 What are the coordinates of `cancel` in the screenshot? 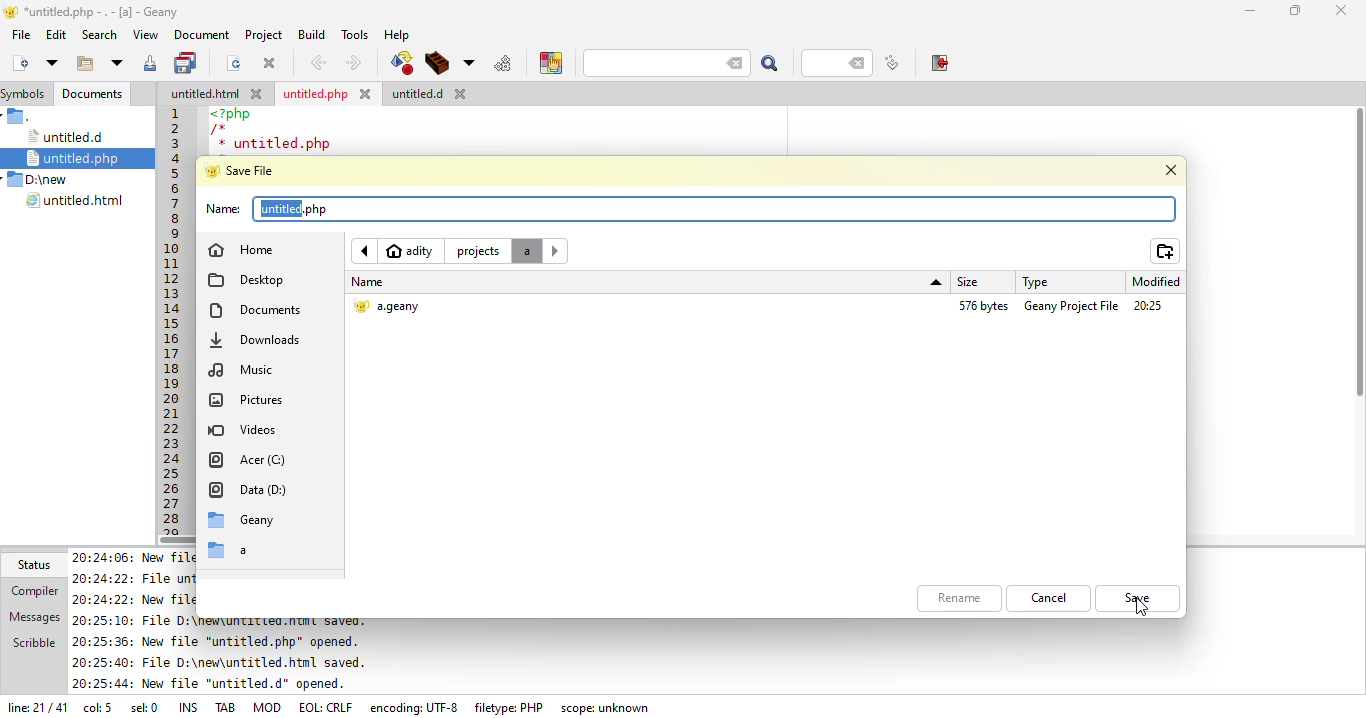 It's located at (1050, 598).